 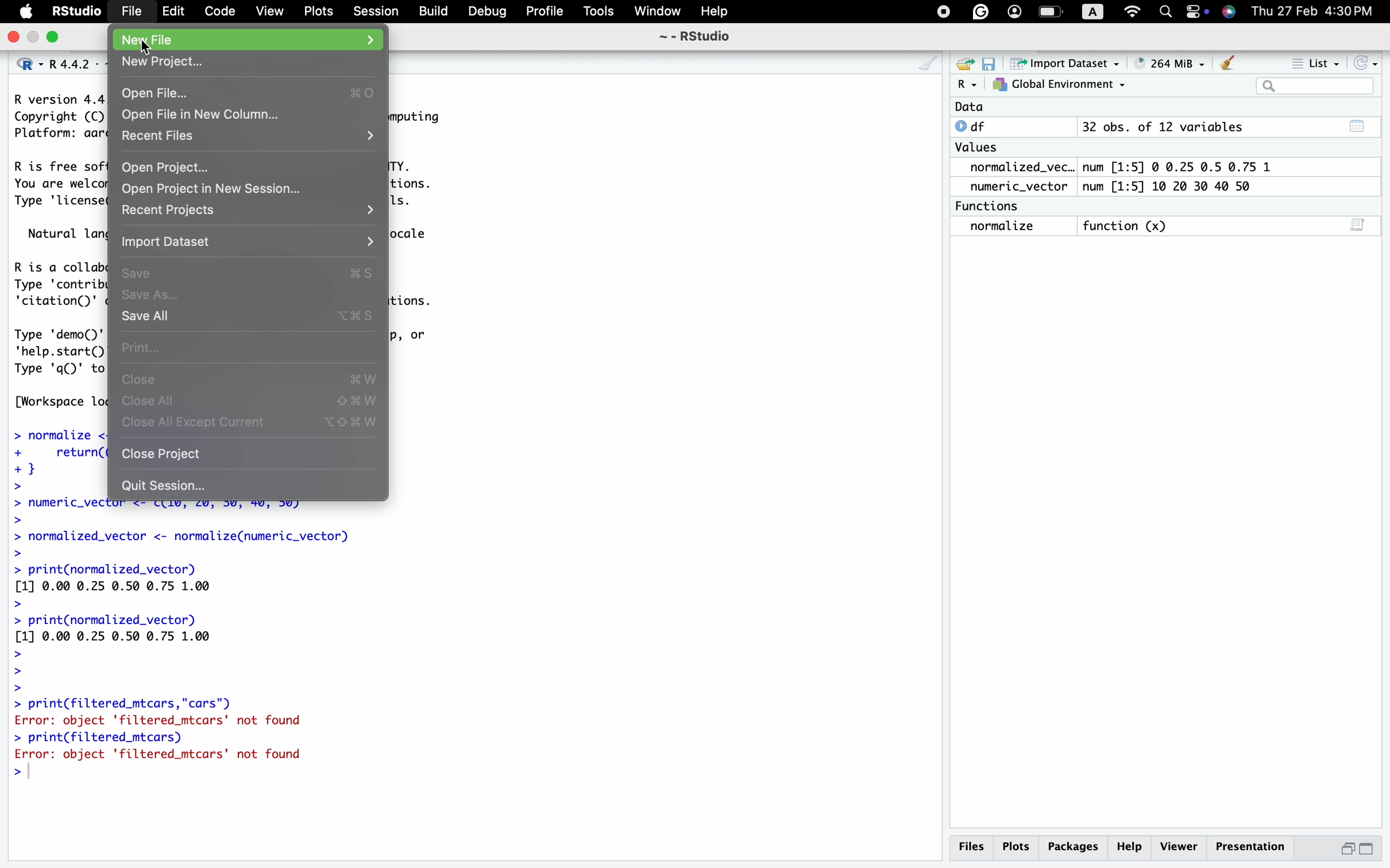 I want to click on Error: object 'filtered_mtcars' not found, so click(x=173, y=721).